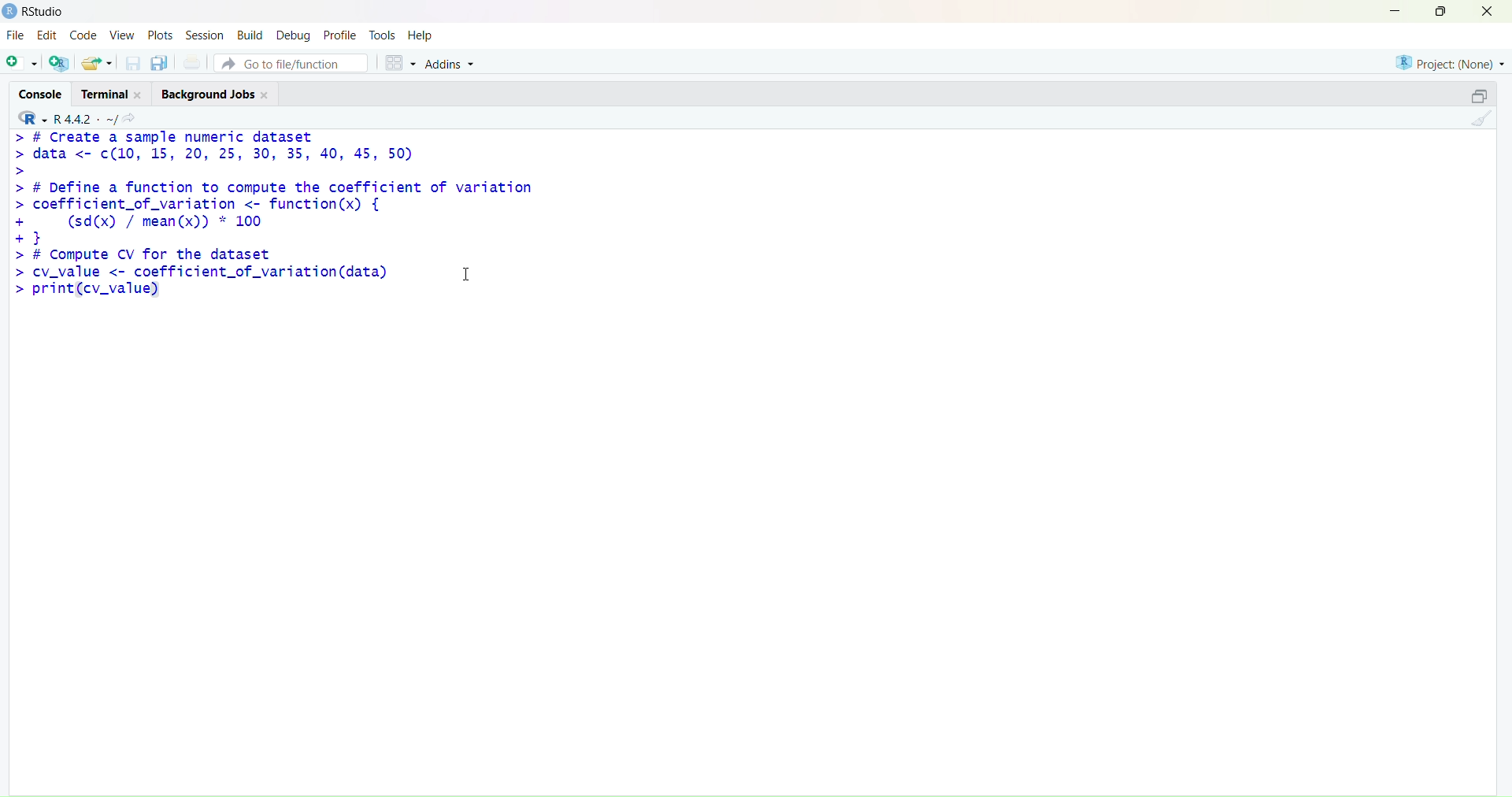 This screenshot has width=1512, height=797. Describe the element at coordinates (47, 35) in the screenshot. I see `edit` at that location.